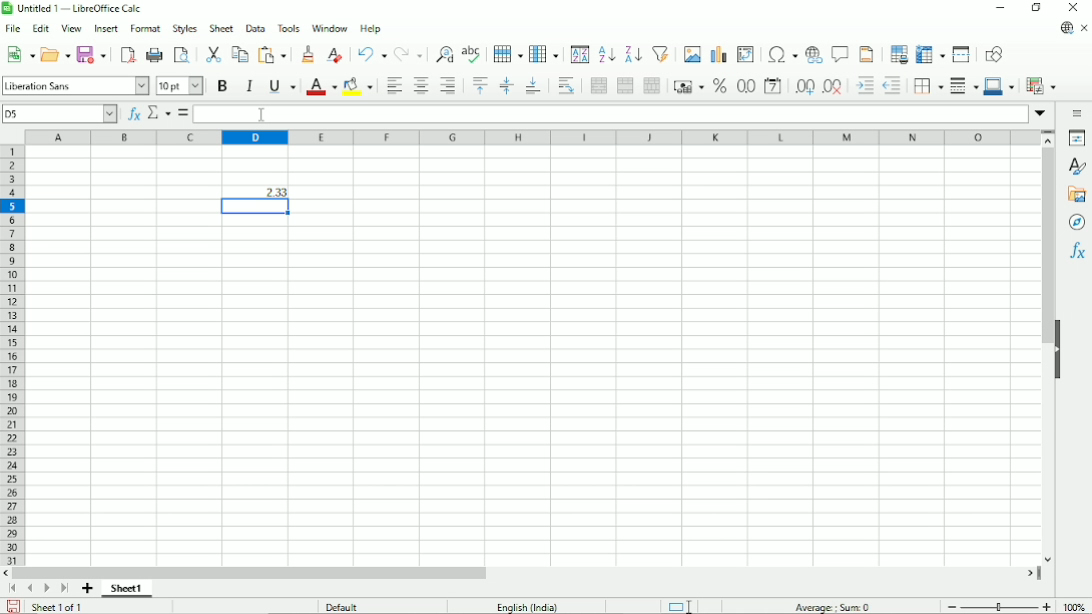 The height and width of the screenshot is (614, 1092). What do you see at coordinates (92, 54) in the screenshot?
I see `Save` at bounding box center [92, 54].